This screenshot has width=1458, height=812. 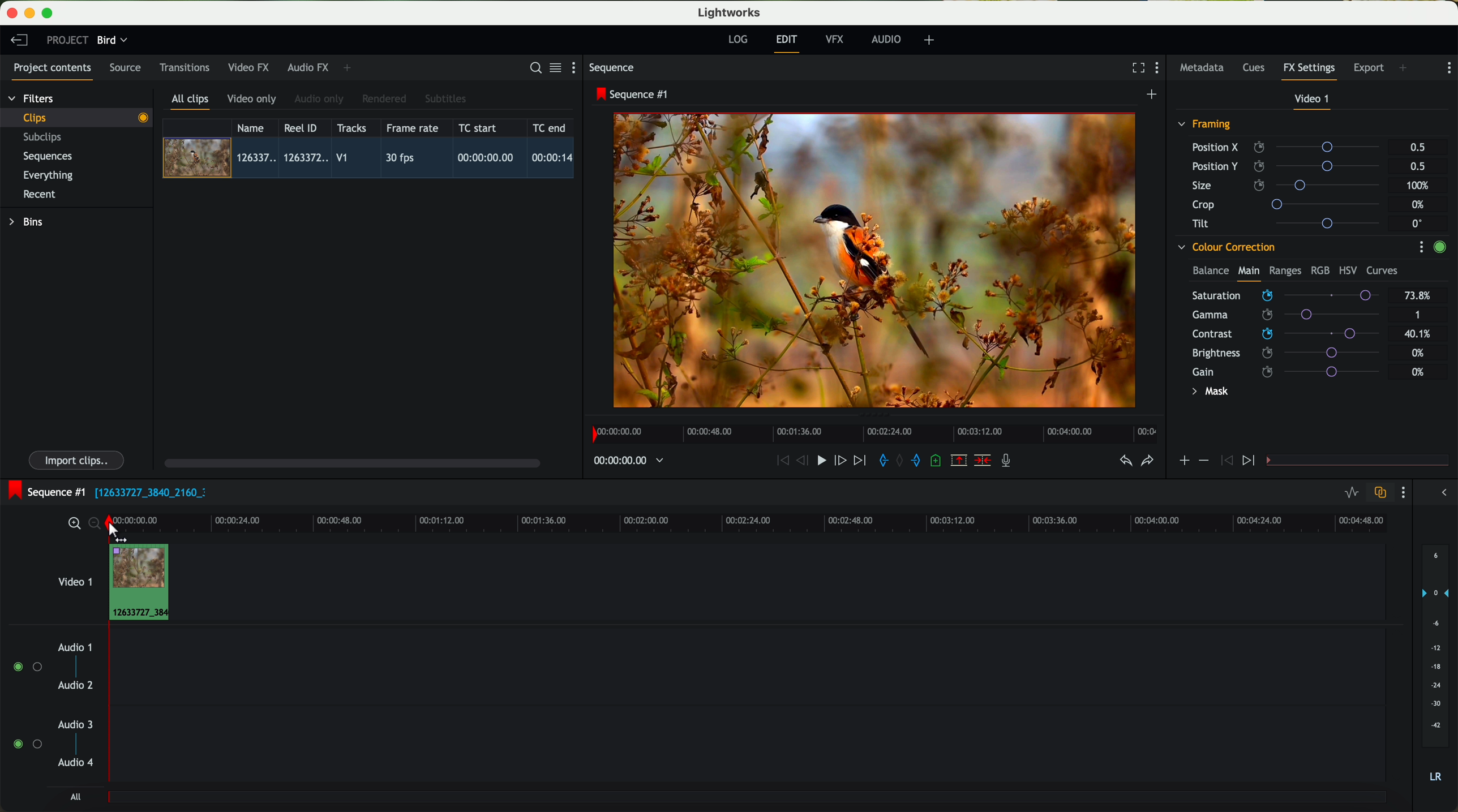 What do you see at coordinates (983, 461) in the screenshot?
I see `delete/cut` at bounding box center [983, 461].